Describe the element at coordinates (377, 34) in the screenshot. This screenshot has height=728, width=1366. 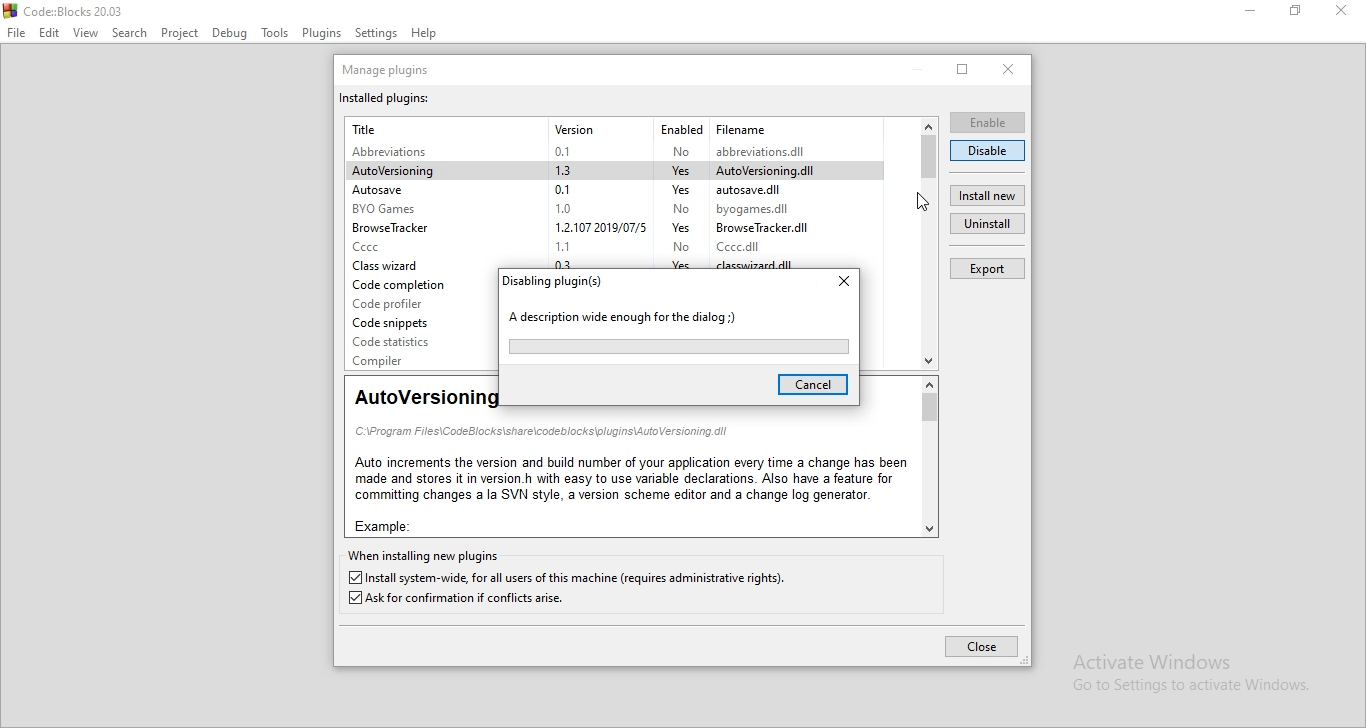
I see `Settings` at that location.